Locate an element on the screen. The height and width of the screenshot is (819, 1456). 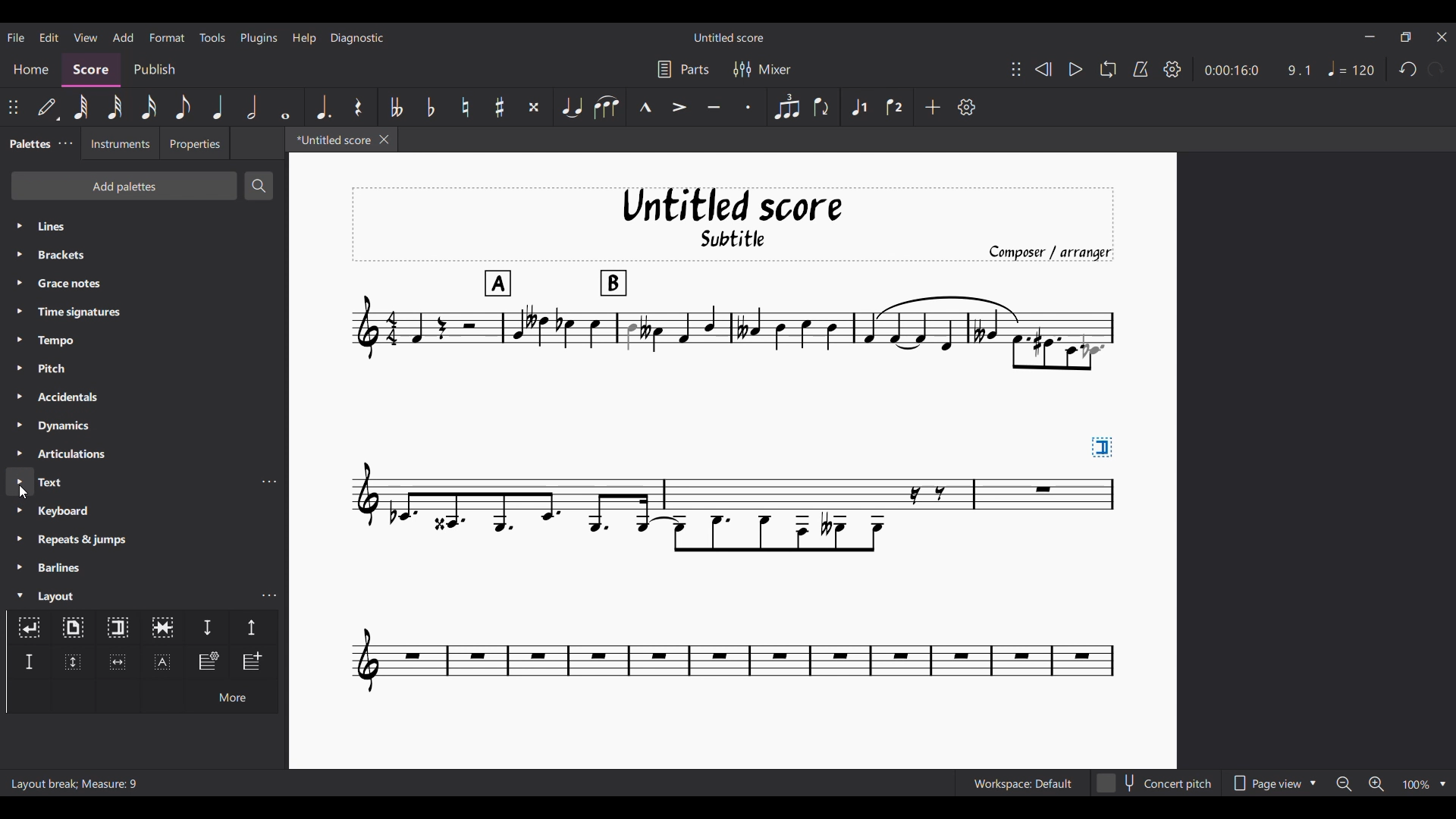
9.1 is located at coordinates (1298, 70).